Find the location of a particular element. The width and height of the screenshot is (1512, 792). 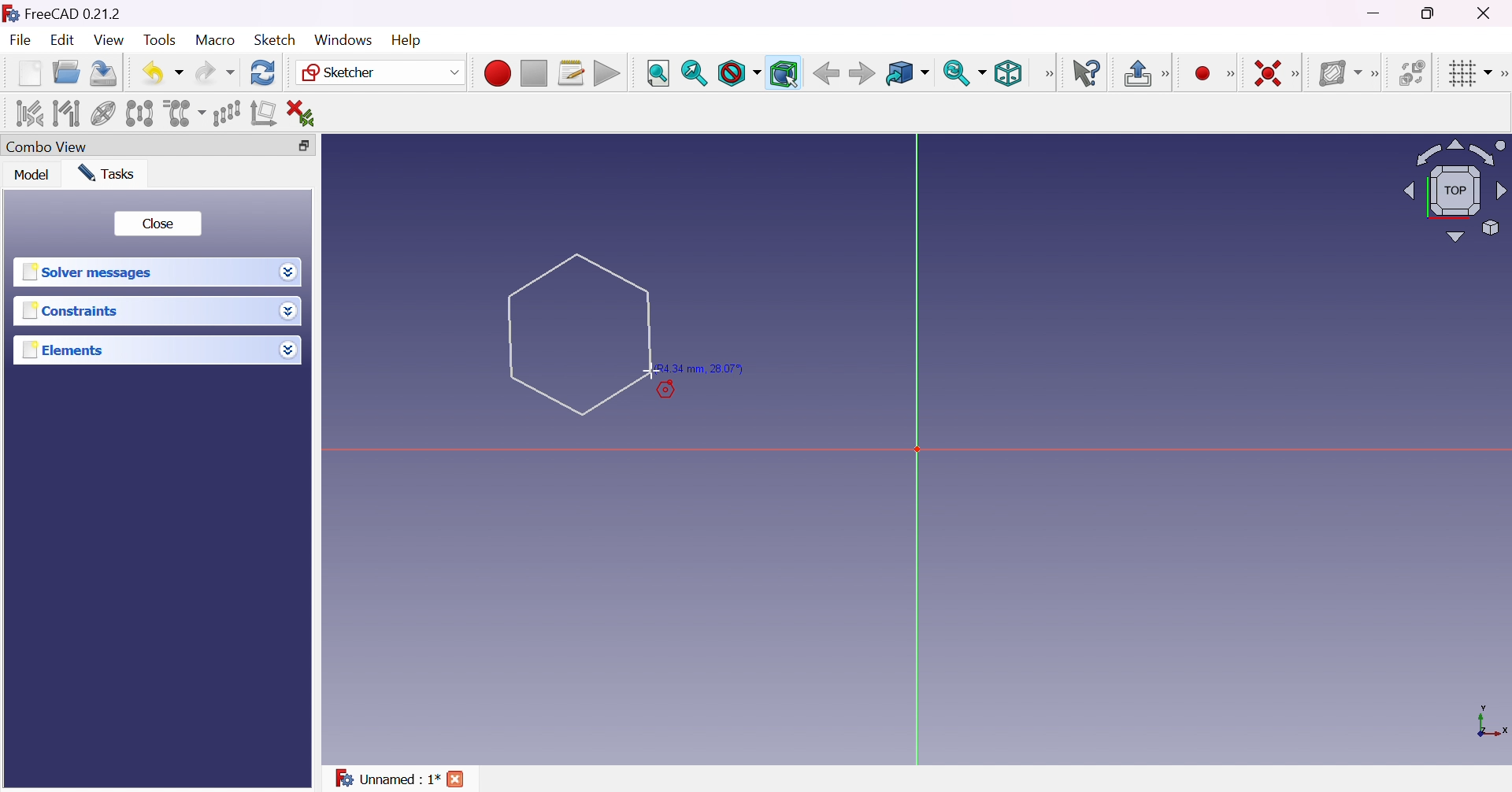

Toggle grid is located at coordinates (1471, 74).